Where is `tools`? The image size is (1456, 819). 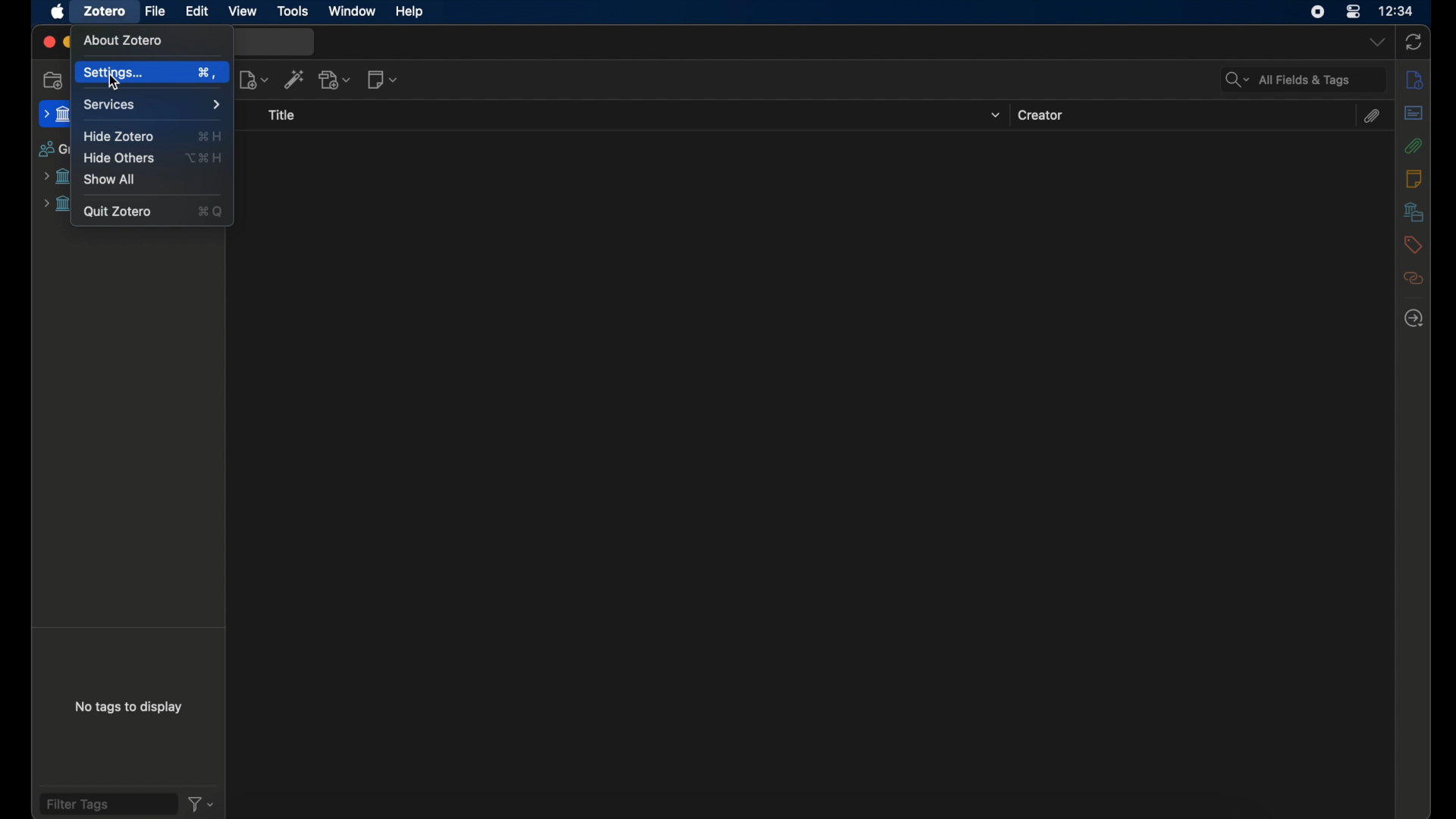
tools is located at coordinates (292, 11).